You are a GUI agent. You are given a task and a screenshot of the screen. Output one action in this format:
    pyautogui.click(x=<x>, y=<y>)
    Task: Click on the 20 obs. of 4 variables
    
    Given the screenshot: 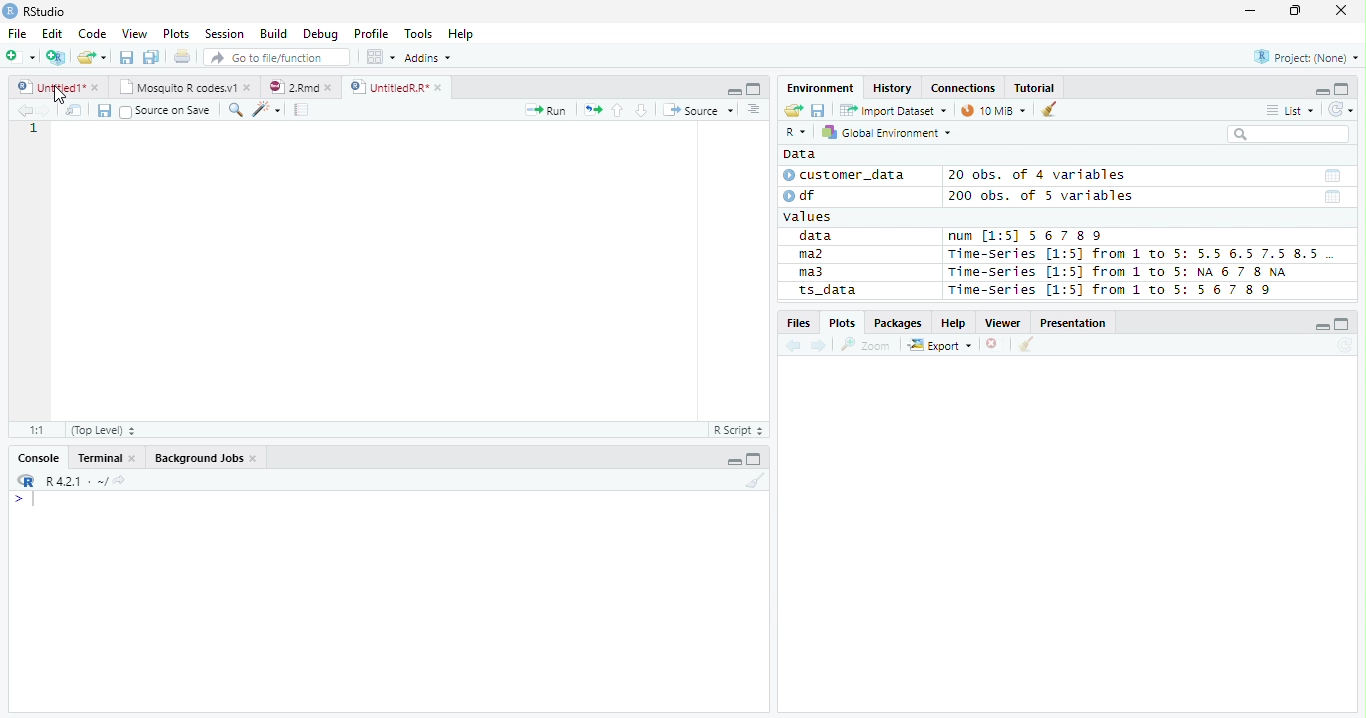 What is the action you would take?
    pyautogui.click(x=1038, y=177)
    